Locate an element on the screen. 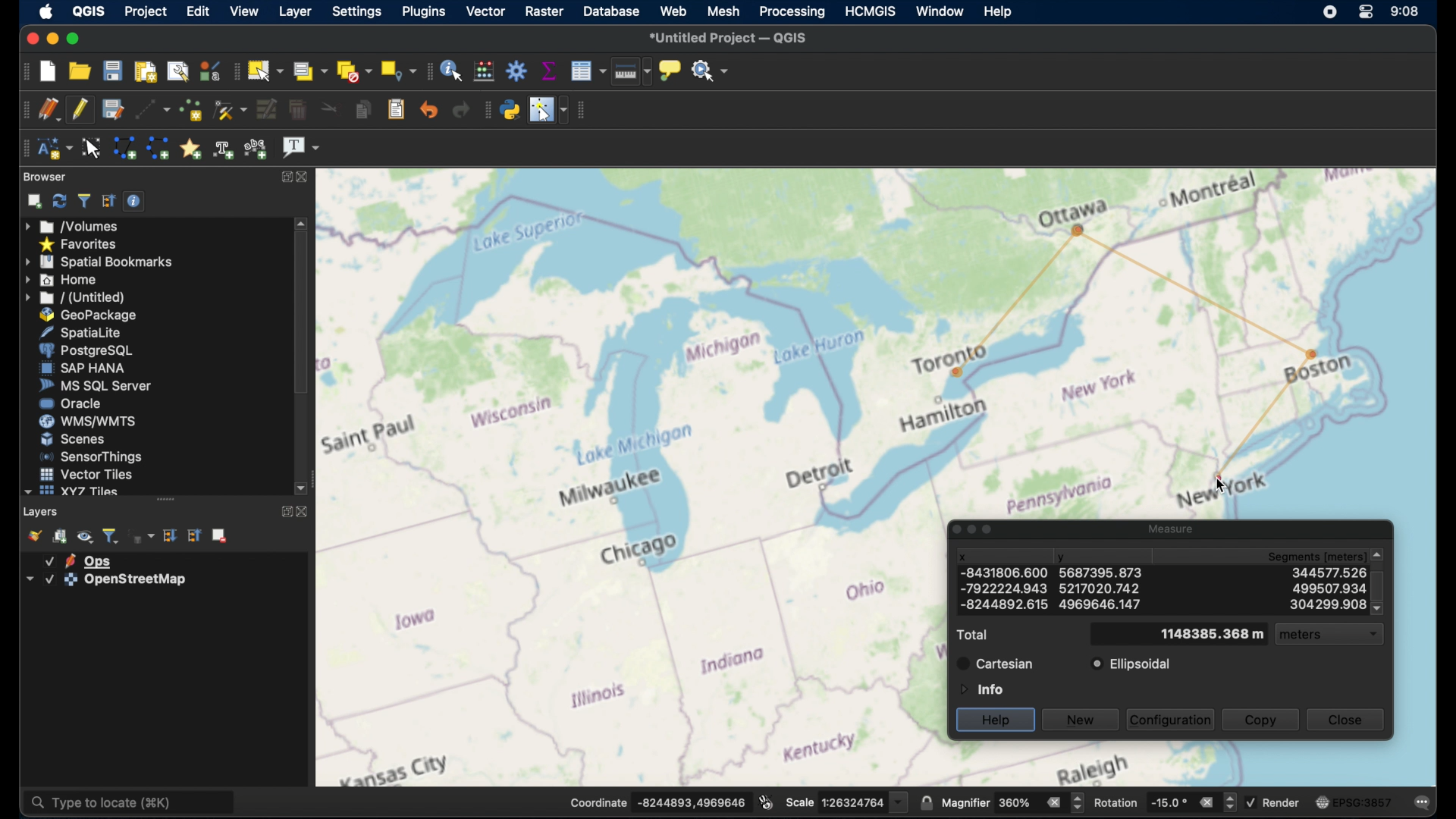 The image size is (1456, 819). render is located at coordinates (1276, 802).